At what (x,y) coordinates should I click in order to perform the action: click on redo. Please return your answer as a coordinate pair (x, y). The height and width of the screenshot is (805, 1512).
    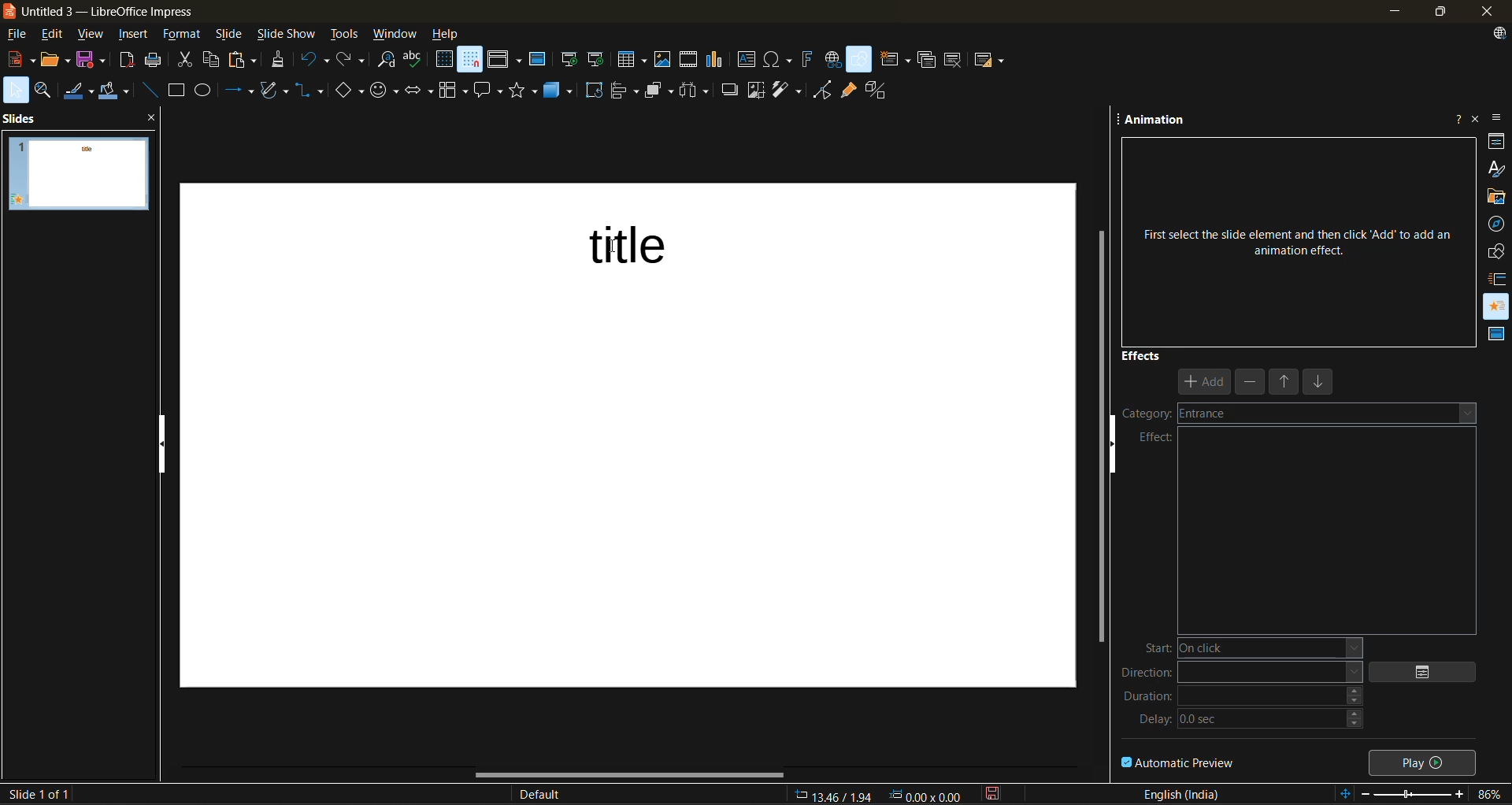
    Looking at the image, I should click on (349, 59).